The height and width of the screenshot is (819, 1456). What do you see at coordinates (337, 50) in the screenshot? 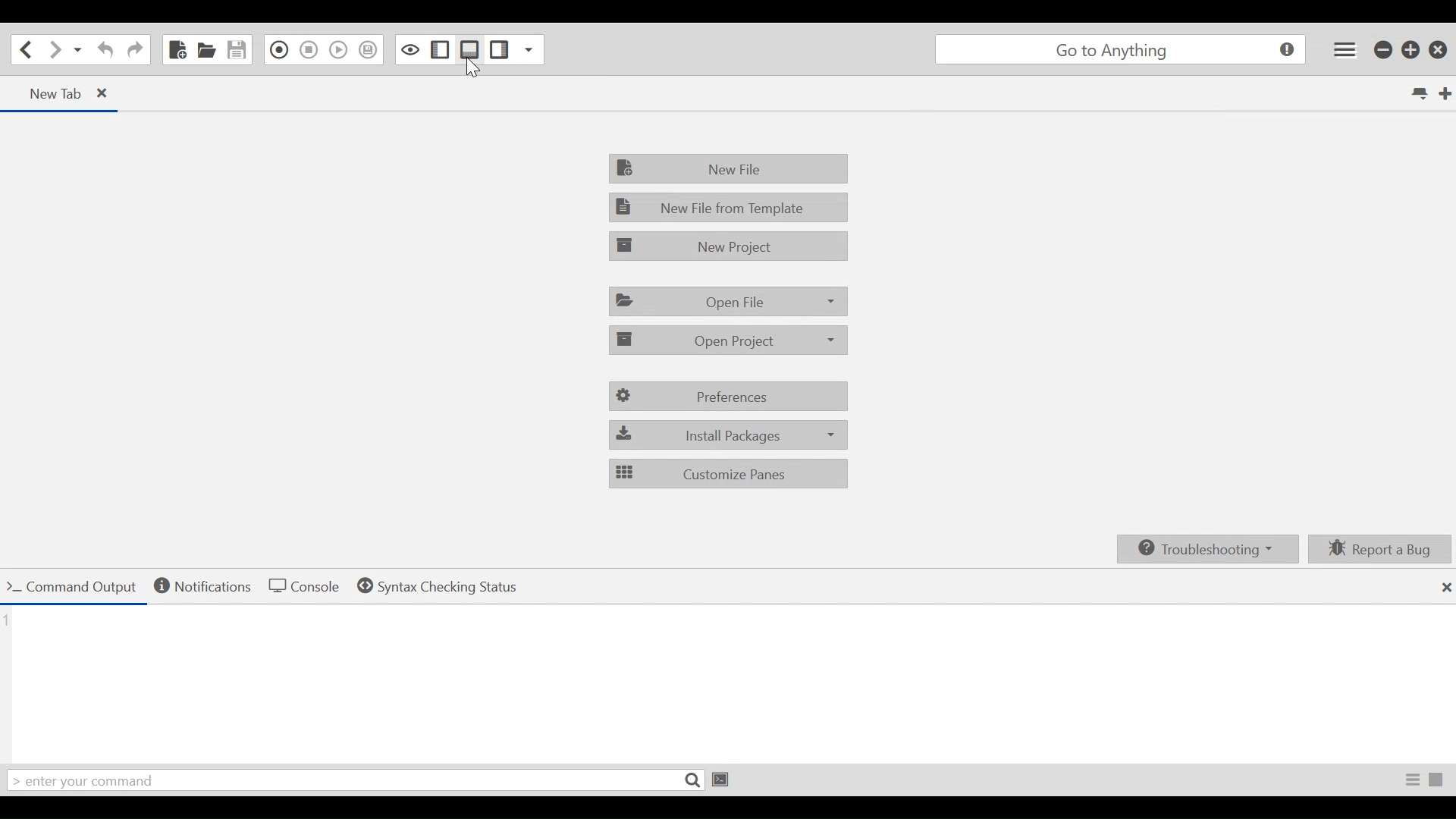
I see `Play last Macro` at bounding box center [337, 50].